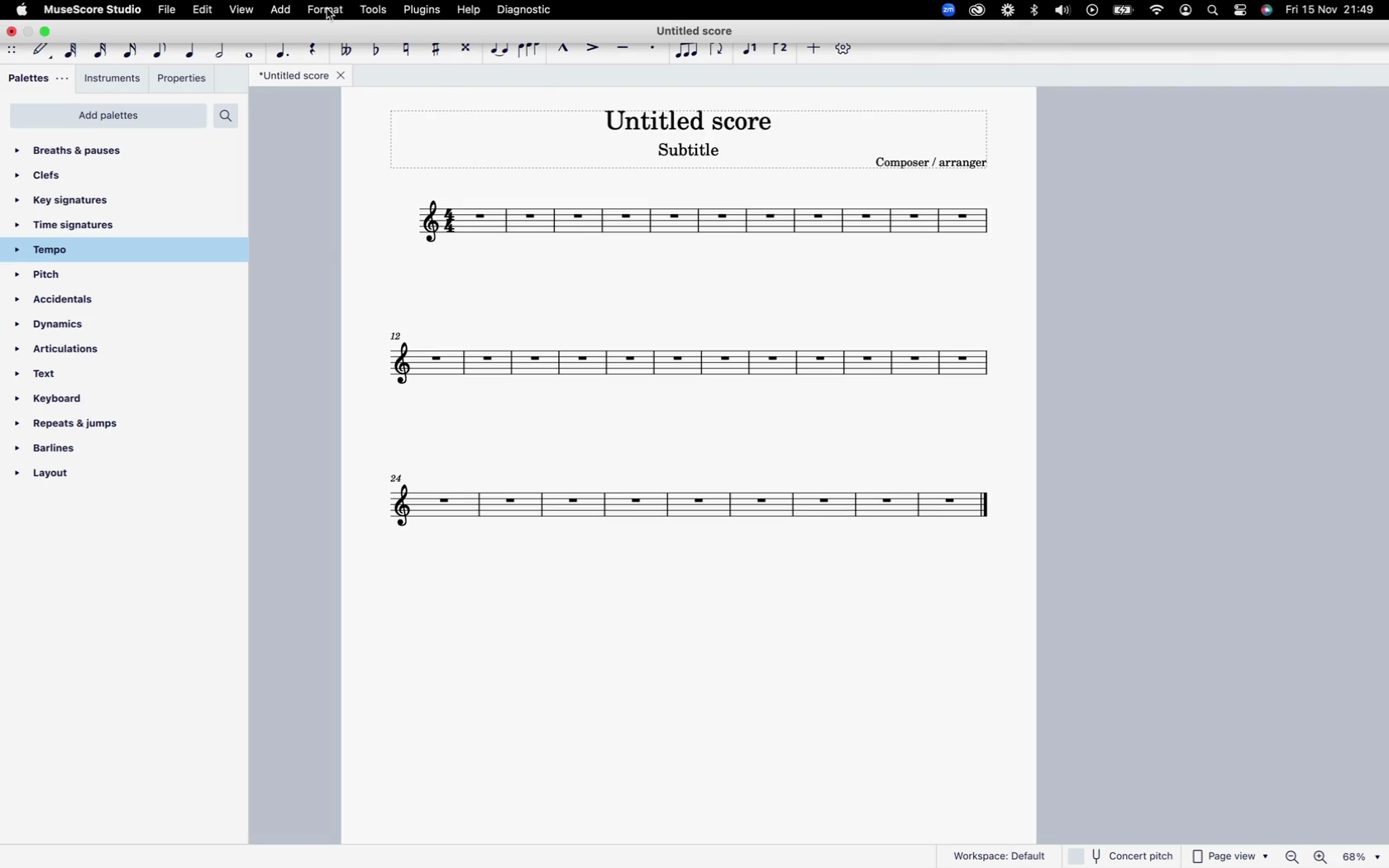  What do you see at coordinates (1331, 857) in the screenshot?
I see `zoom` at bounding box center [1331, 857].